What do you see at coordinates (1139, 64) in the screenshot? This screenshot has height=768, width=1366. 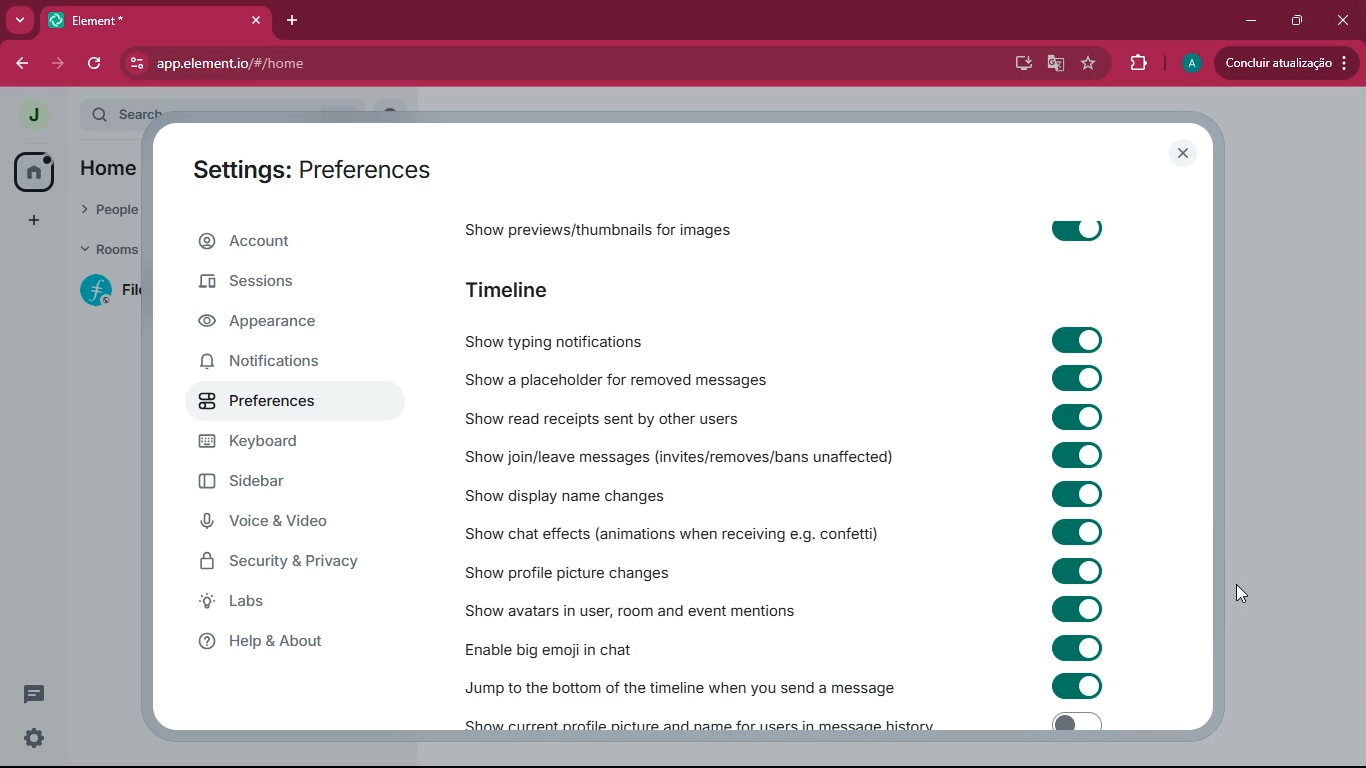 I see `extensions` at bounding box center [1139, 64].